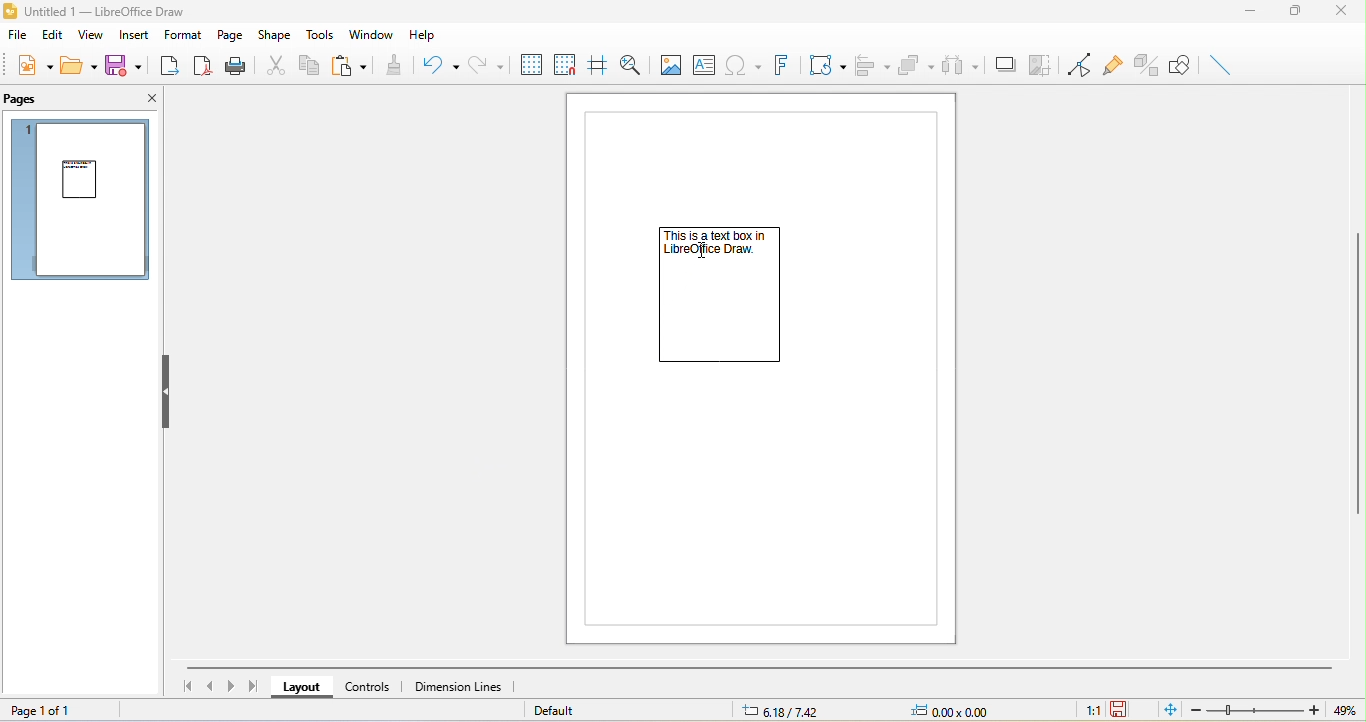 This screenshot has height=722, width=1366. What do you see at coordinates (232, 36) in the screenshot?
I see `page` at bounding box center [232, 36].